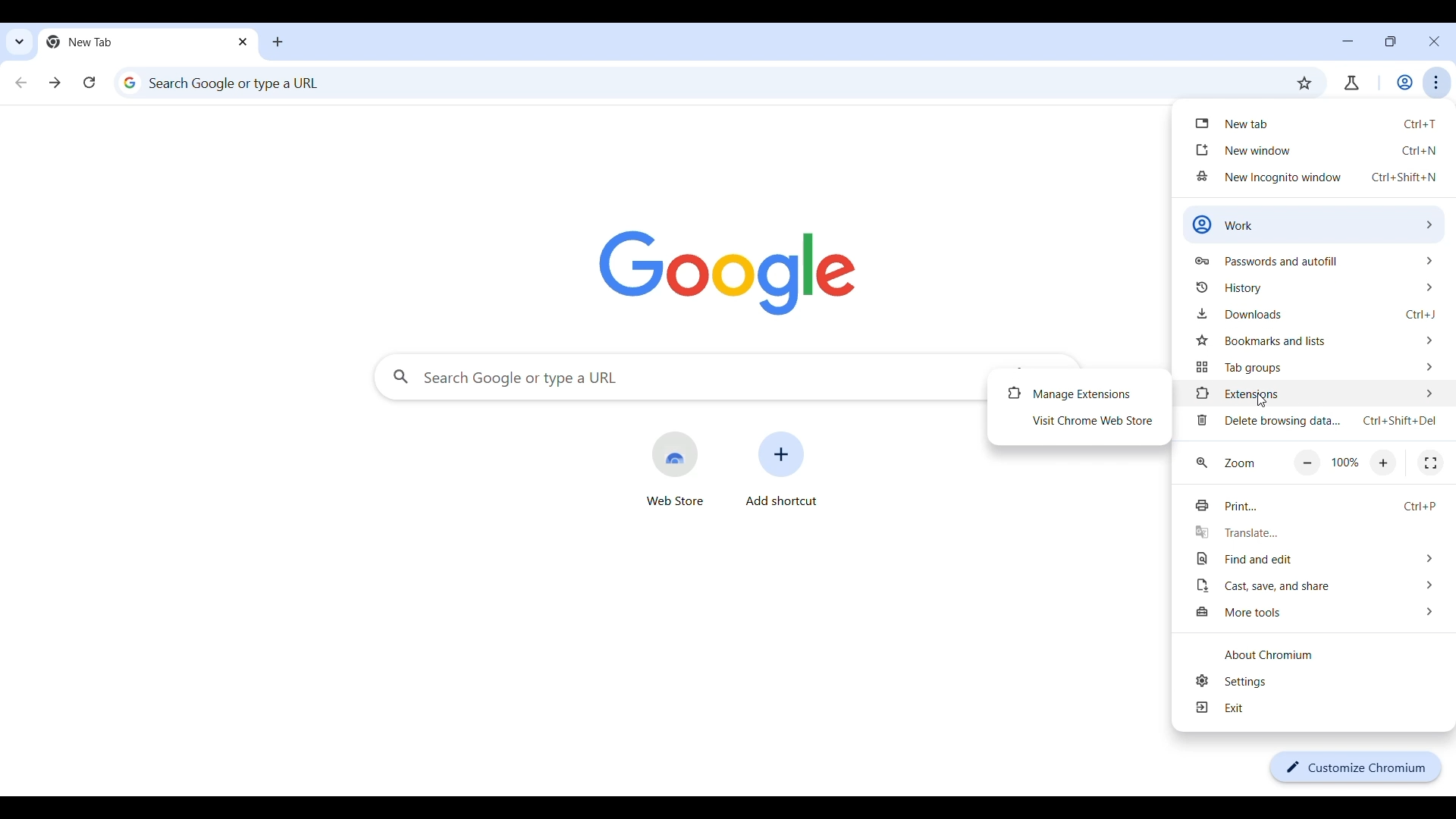 The width and height of the screenshot is (1456, 819). What do you see at coordinates (1316, 393) in the screenshot?
I see `Extension options` at bounding box center [1316, 393].